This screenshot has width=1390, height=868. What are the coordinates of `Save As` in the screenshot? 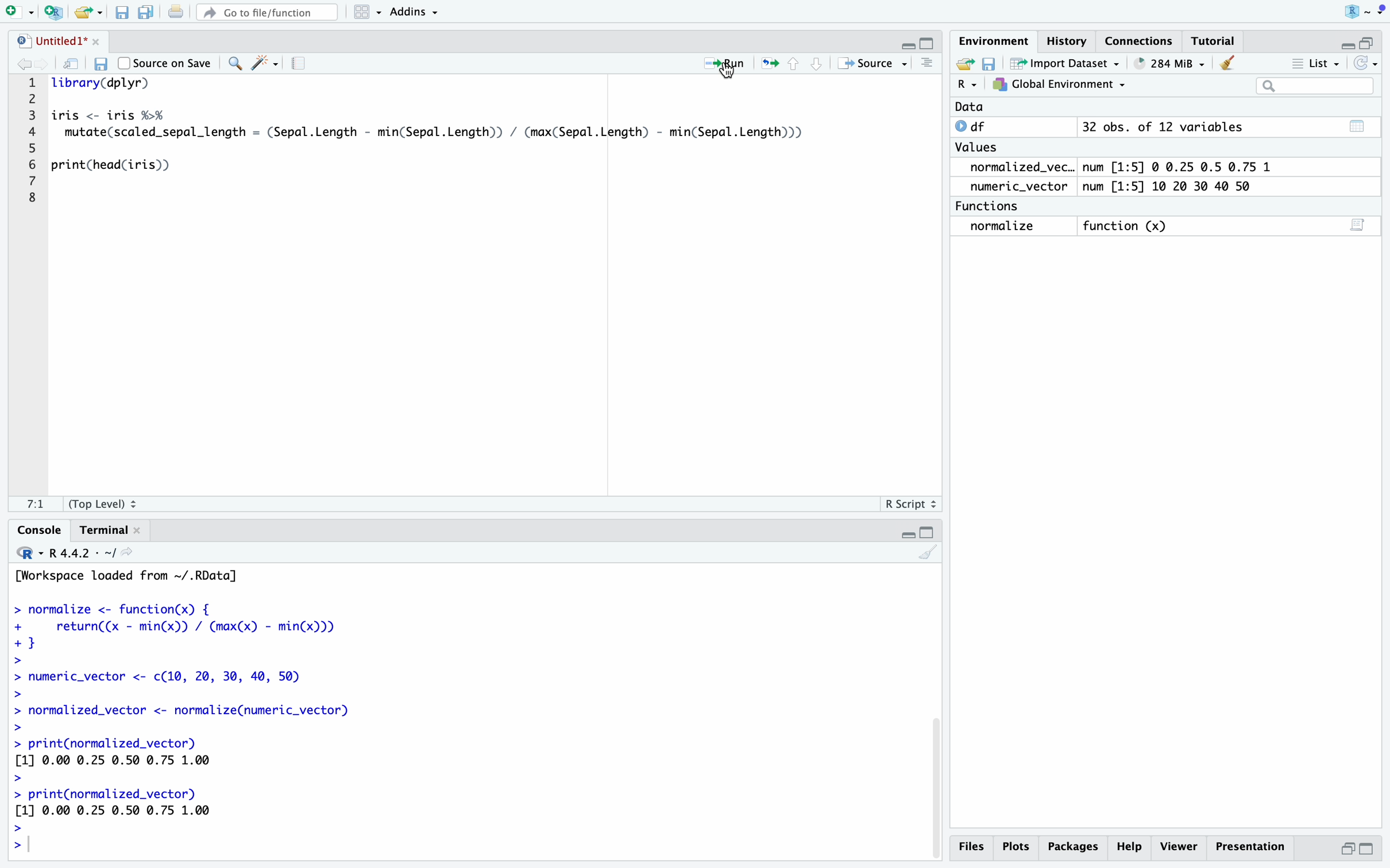 It's located at (146, 13).